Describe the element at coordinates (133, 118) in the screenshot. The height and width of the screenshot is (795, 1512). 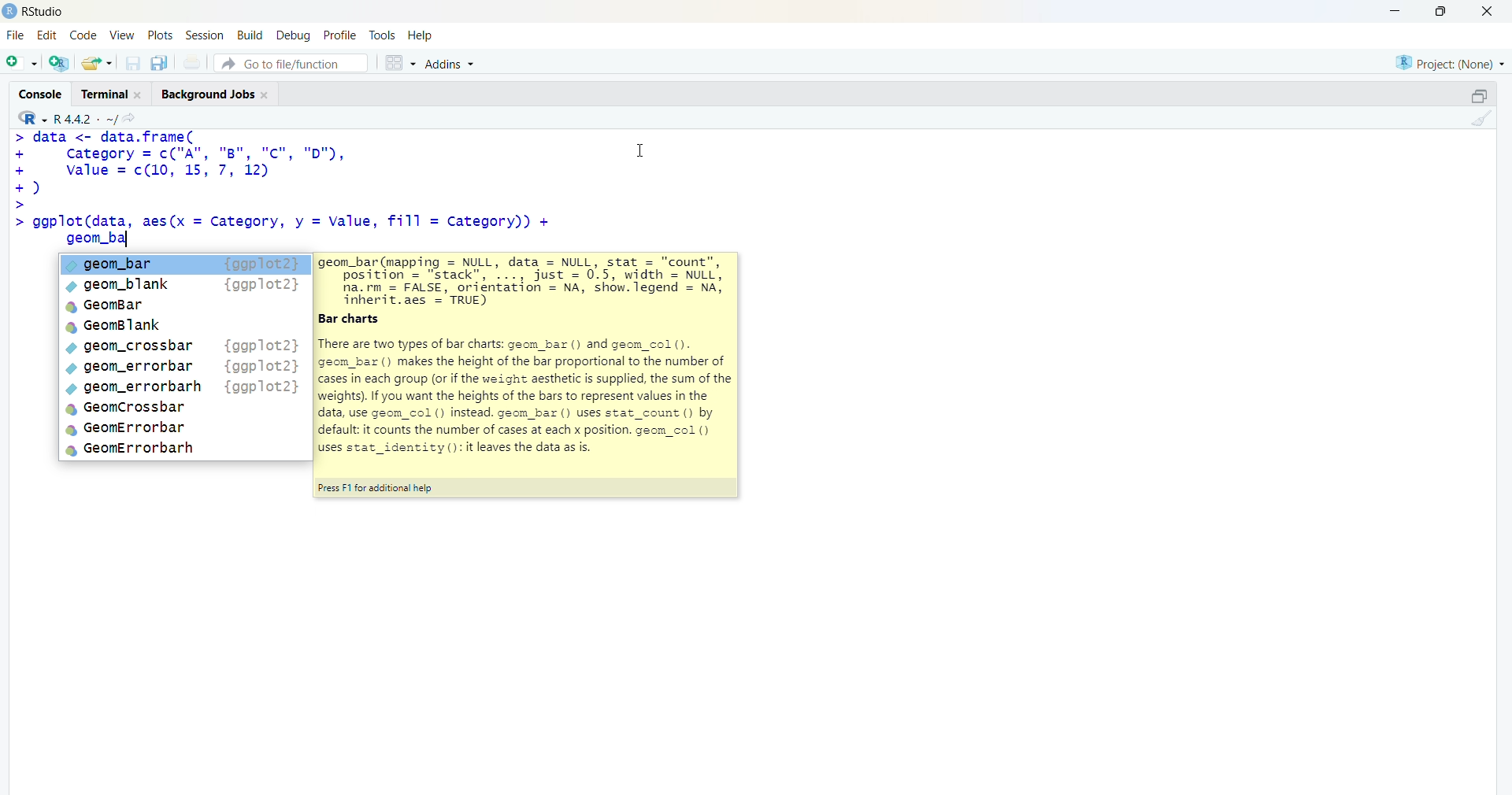
I see `go to directiory` at that location.